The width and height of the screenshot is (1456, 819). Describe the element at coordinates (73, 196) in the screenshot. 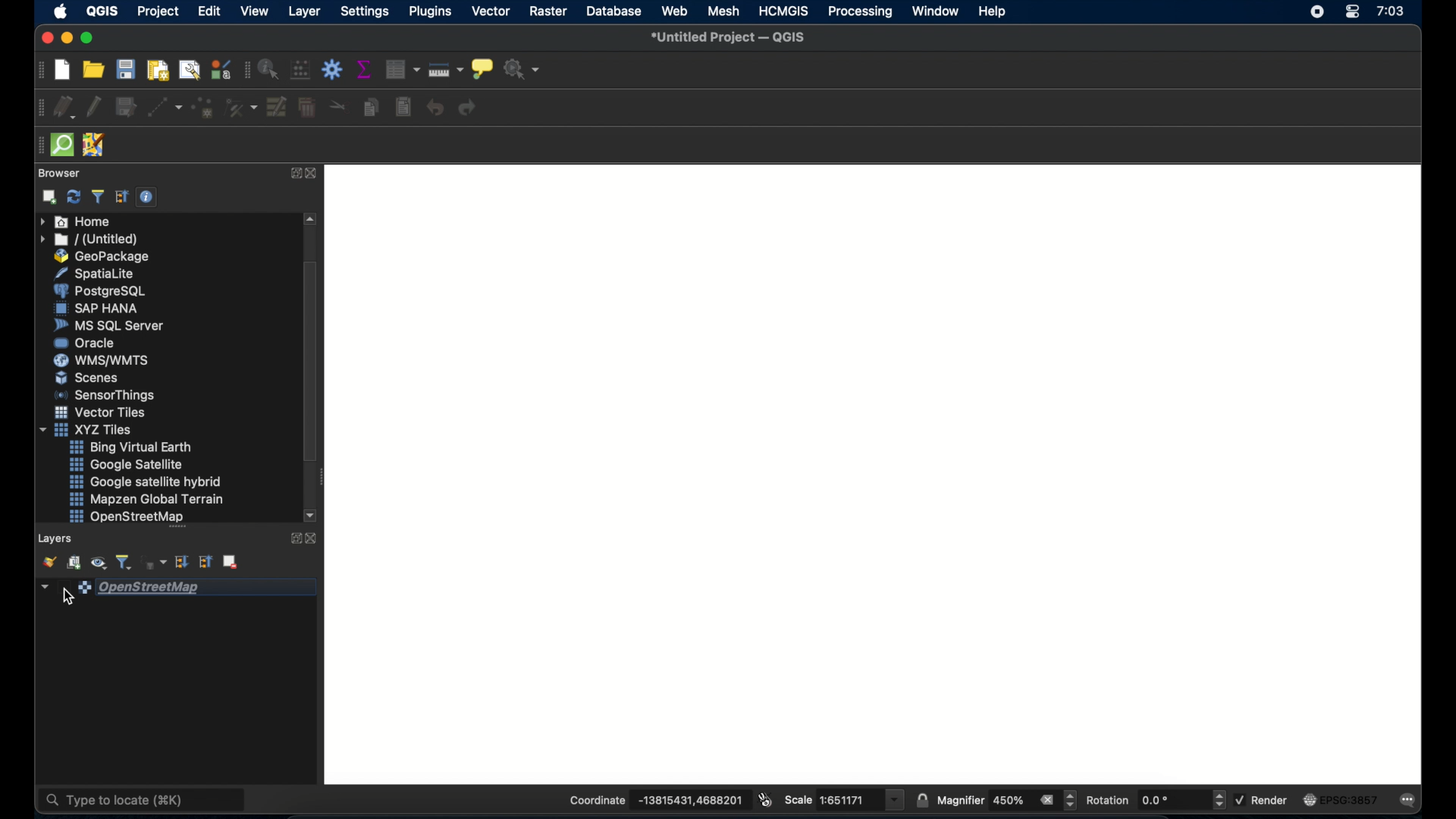

I see `refresh` at that location.